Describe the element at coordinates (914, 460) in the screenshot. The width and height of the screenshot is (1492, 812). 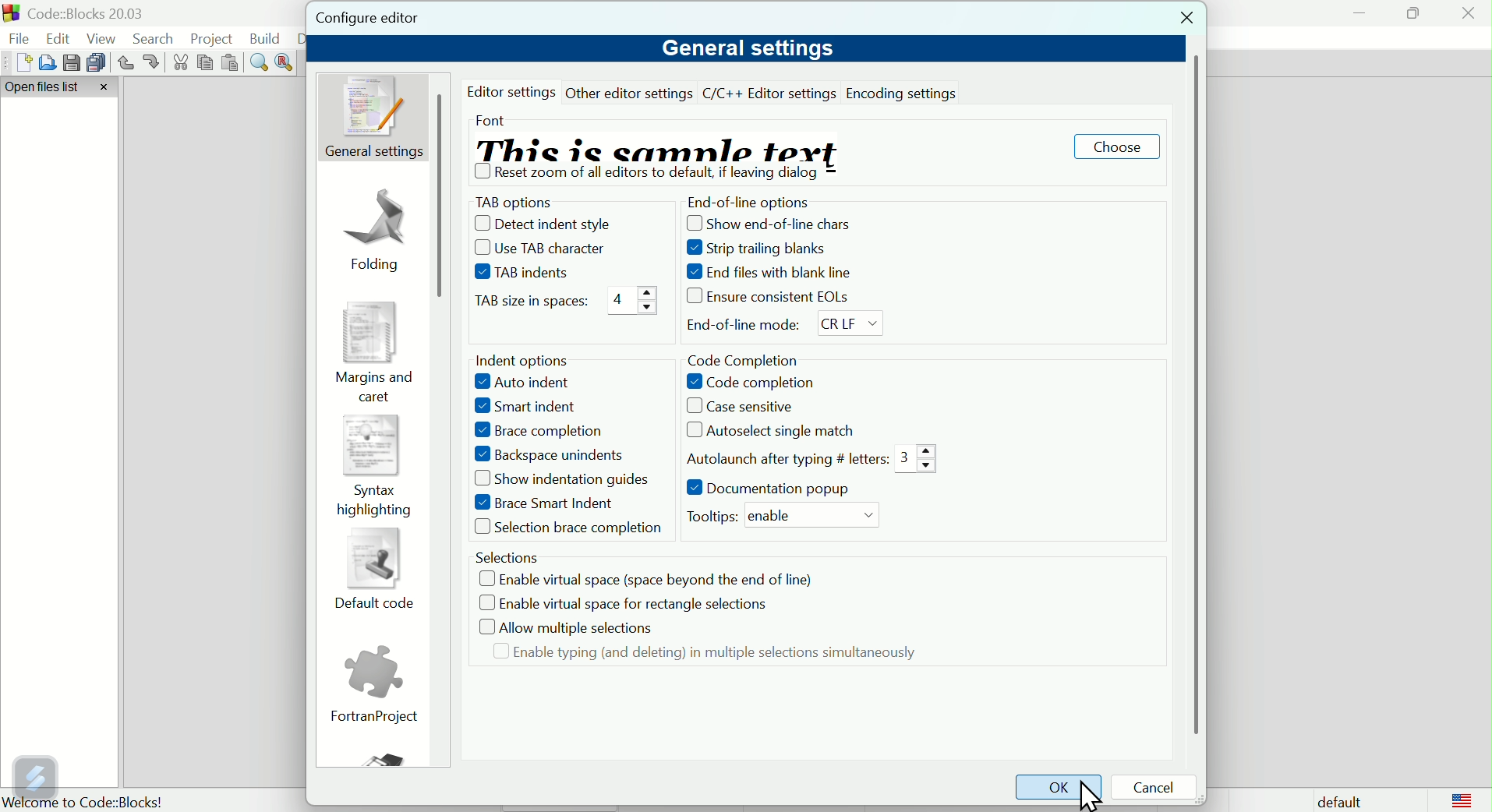
I see `3` at that location.